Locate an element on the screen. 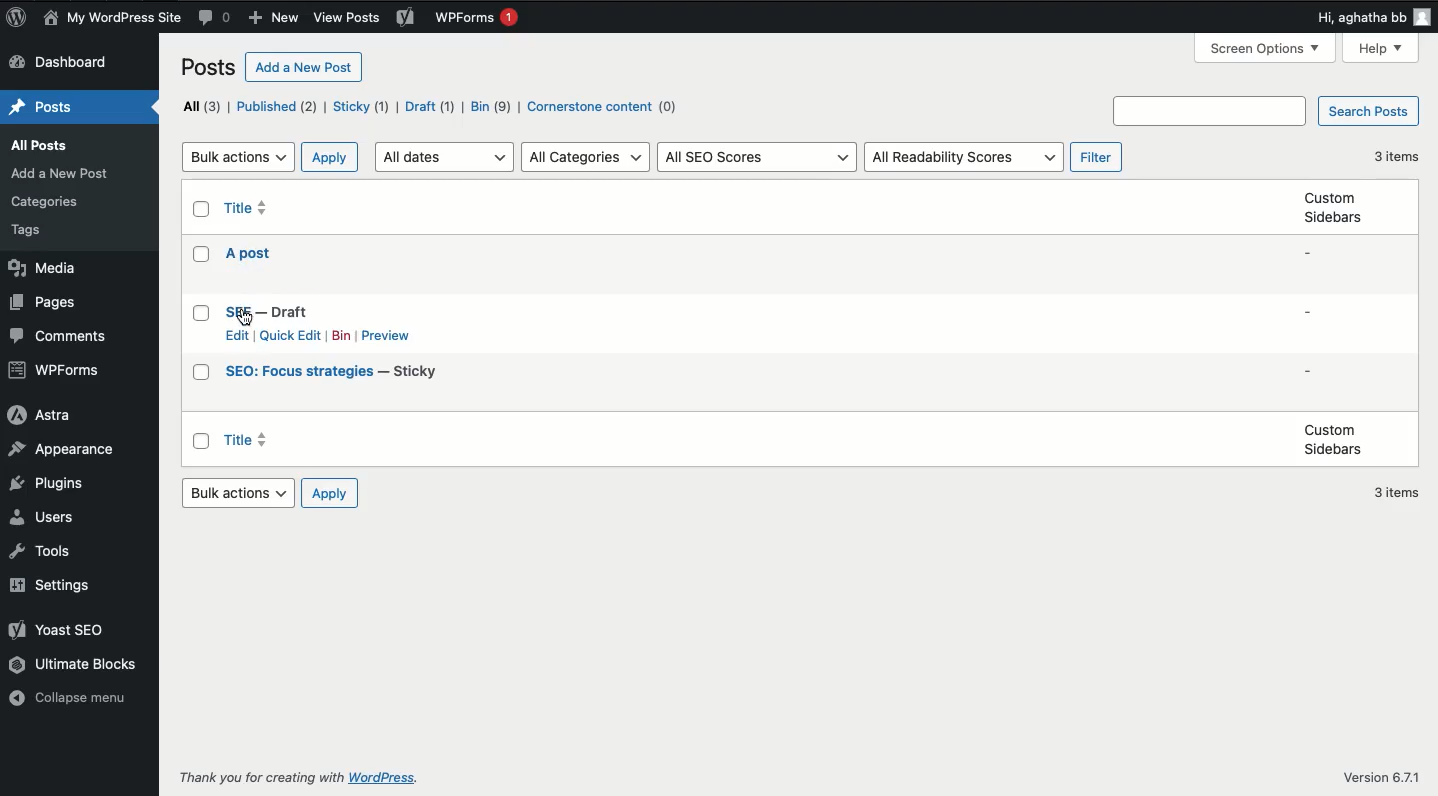 This screenshot has height=796, width=1438. Comment is located at coordinates (214, 18).